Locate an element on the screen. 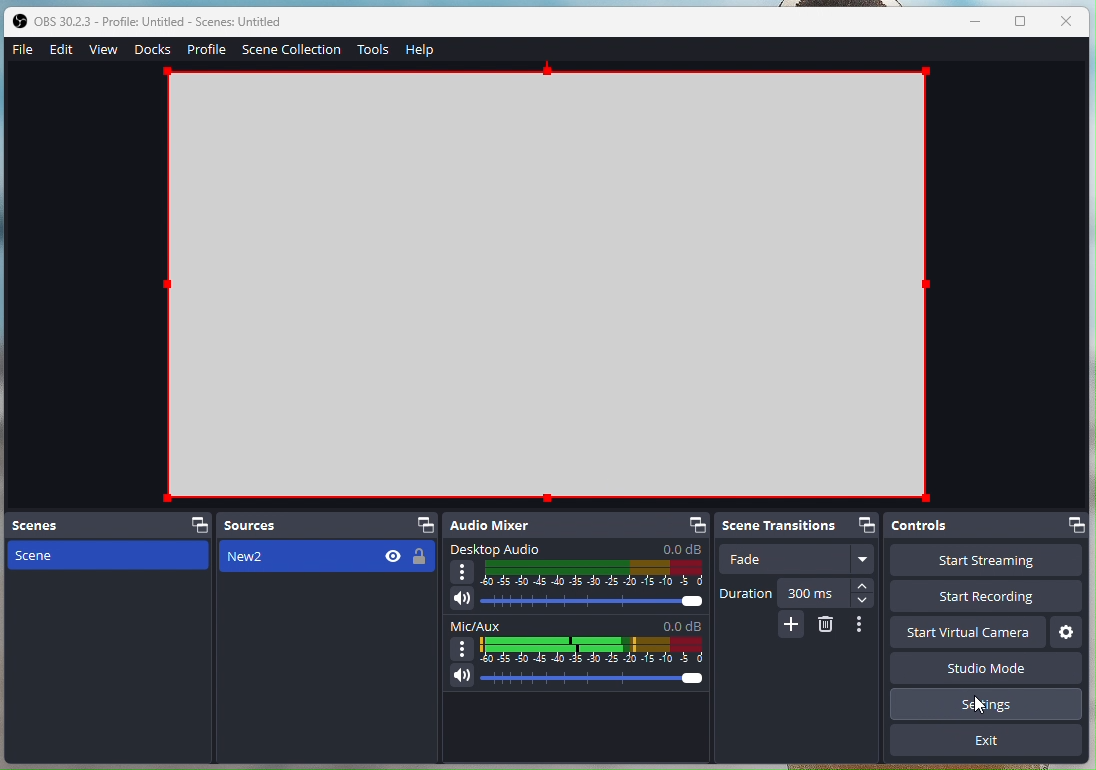 The width and height of the screenshot is (1096, 770). Docks is located at coordinates (153, 50).